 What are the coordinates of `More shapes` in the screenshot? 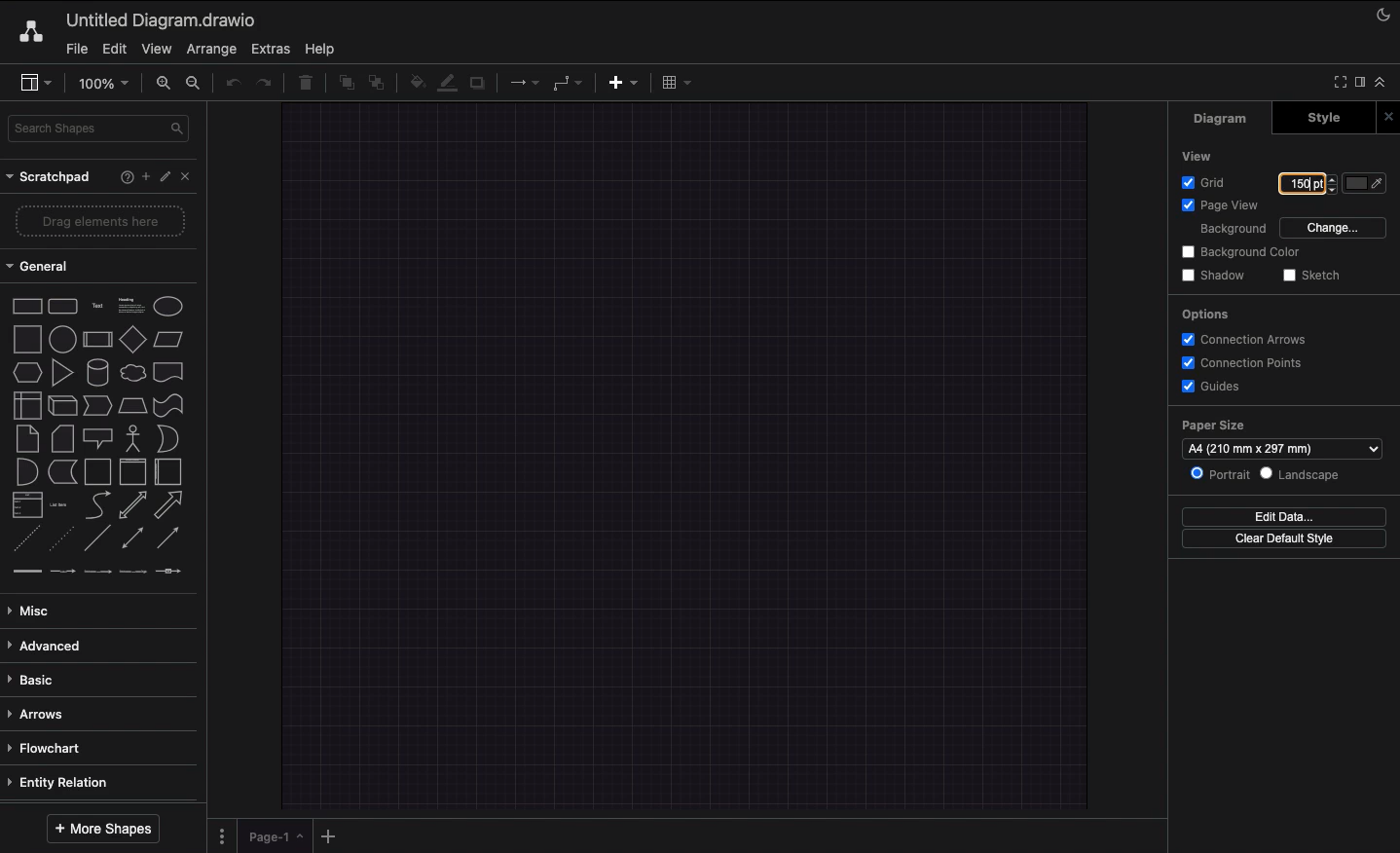 It's located at (102, 830).